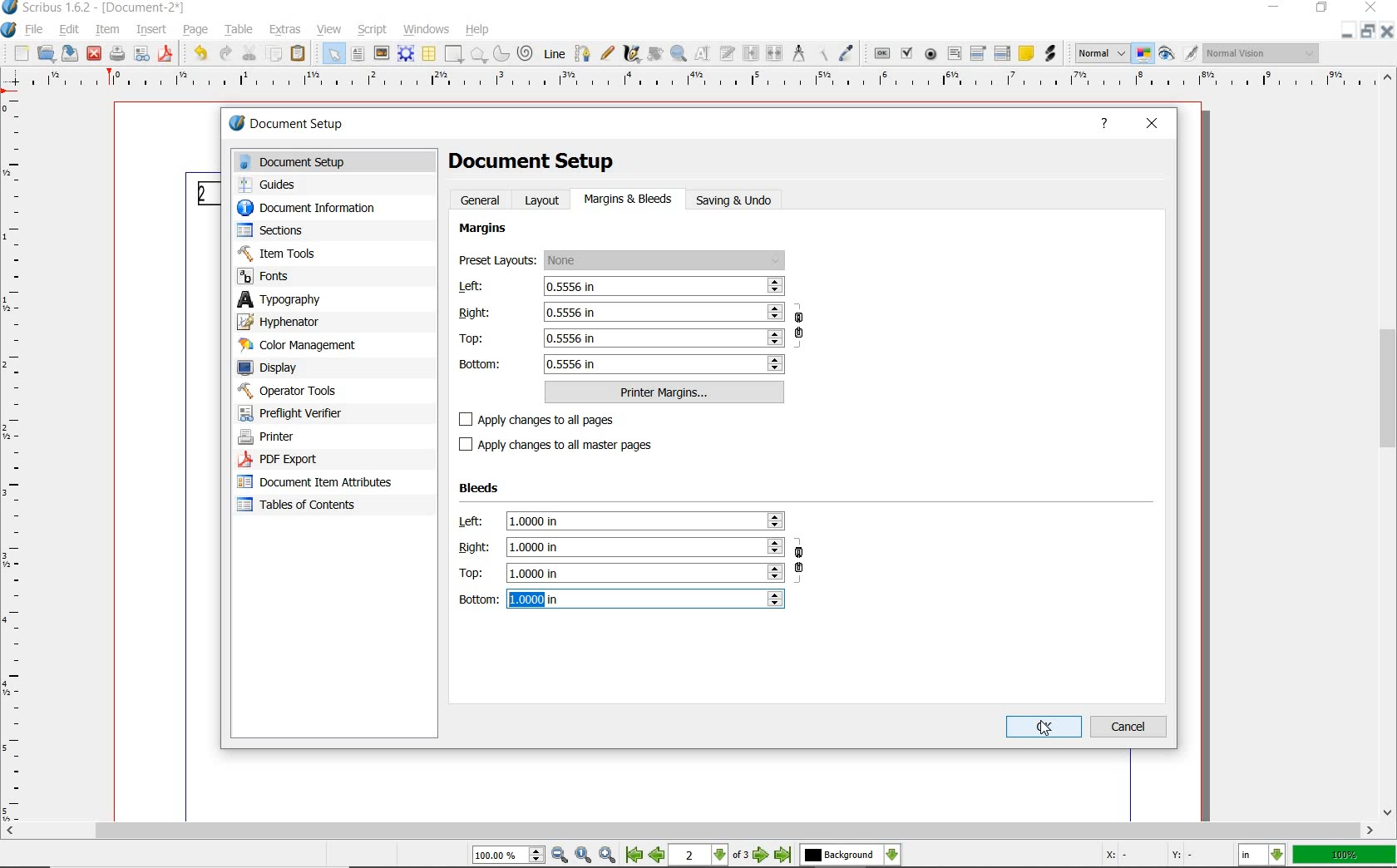 This screenshot has width=1397, height=868. Describe the element at coordinates (16, 459) in the screenshot. I see `Vertical Margin` at that location.